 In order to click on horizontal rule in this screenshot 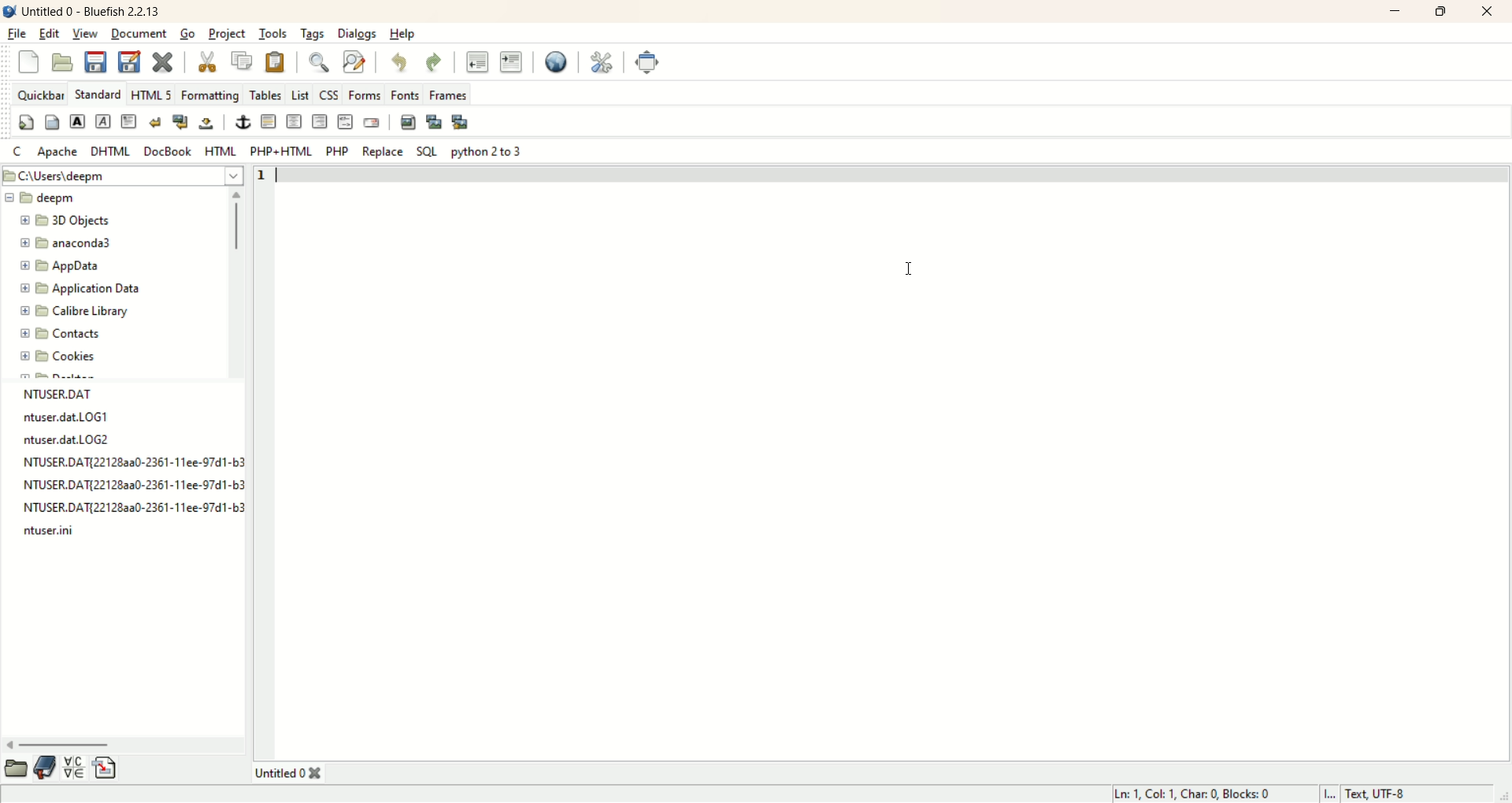, I will do `click(268, 120)`.